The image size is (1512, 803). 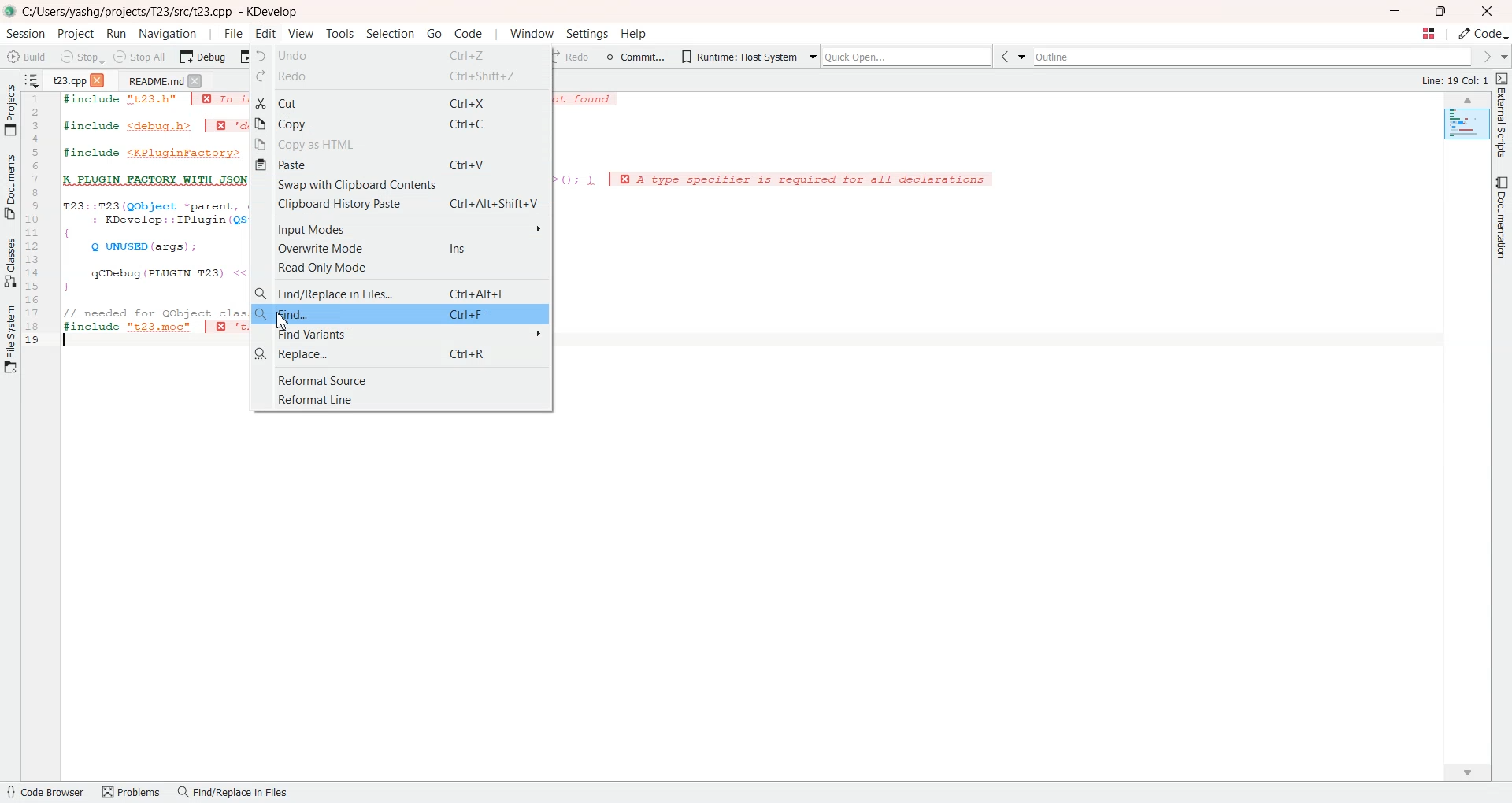 I want to click on Code, so click(x=1484, y=34).